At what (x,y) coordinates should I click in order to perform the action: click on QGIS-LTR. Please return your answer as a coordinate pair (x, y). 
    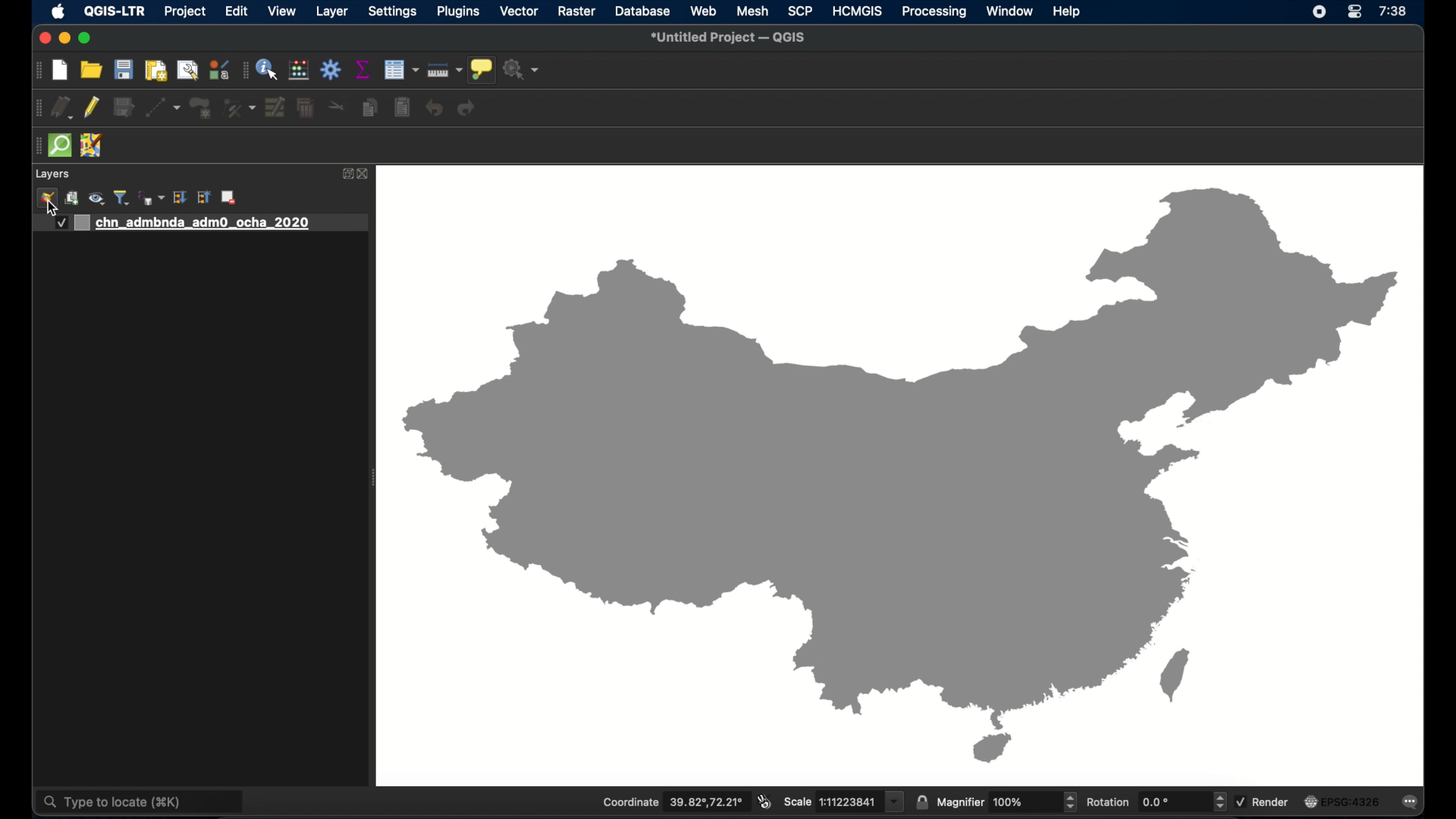
    Looking at the image, I should click on (115, 12).